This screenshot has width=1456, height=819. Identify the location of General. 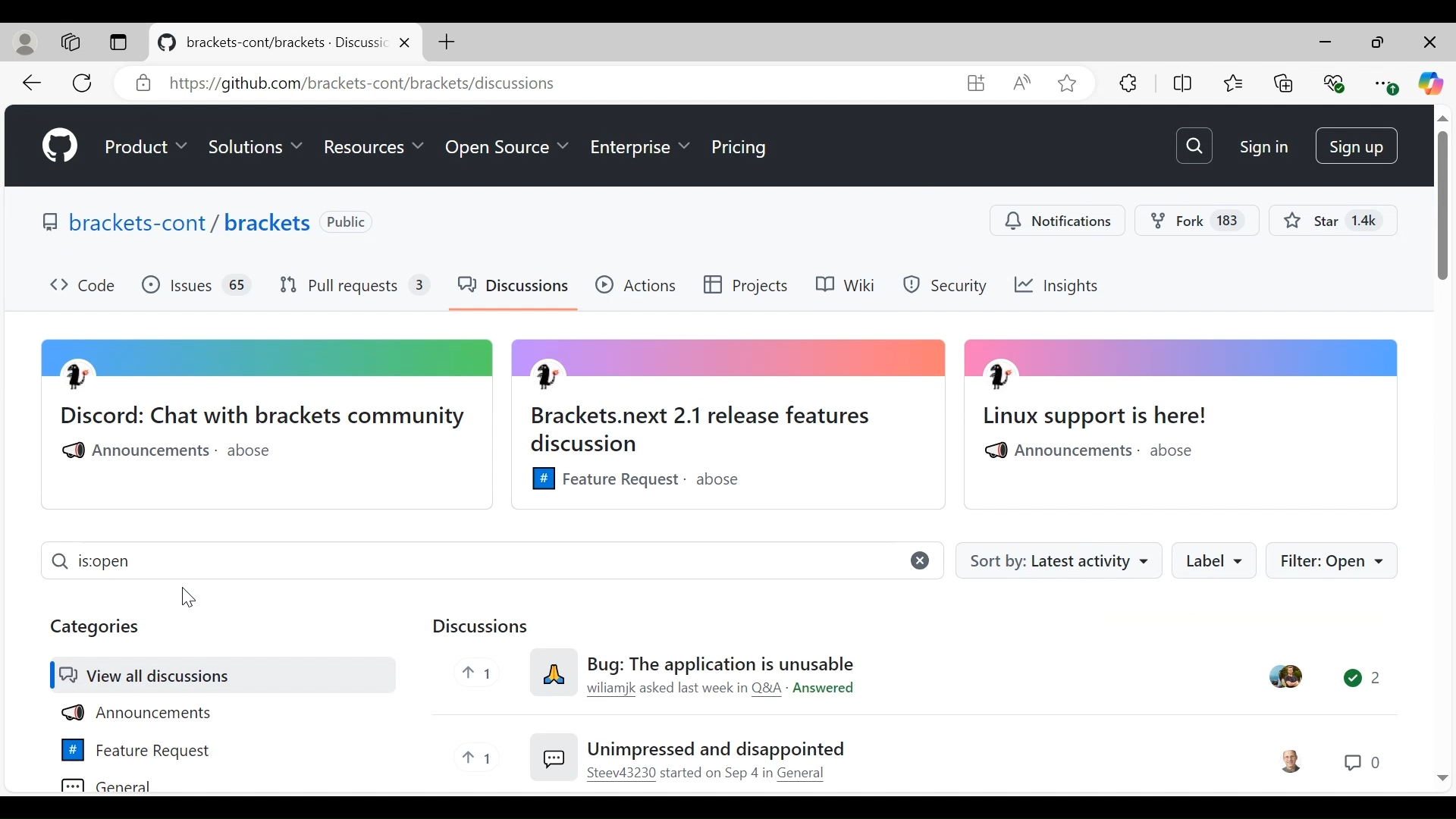
(220, 785).